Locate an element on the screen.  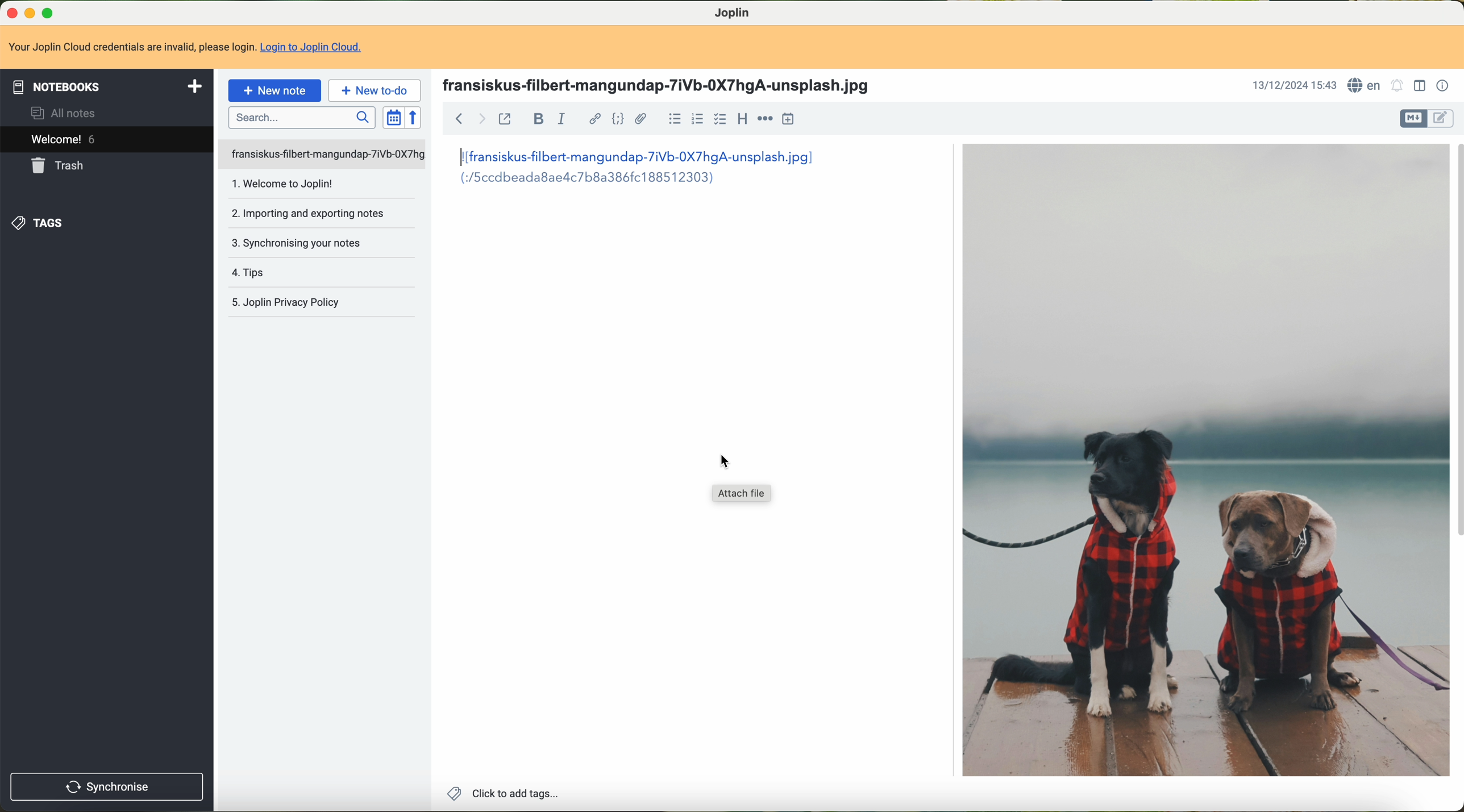
code is located at coordinates (617, 118).